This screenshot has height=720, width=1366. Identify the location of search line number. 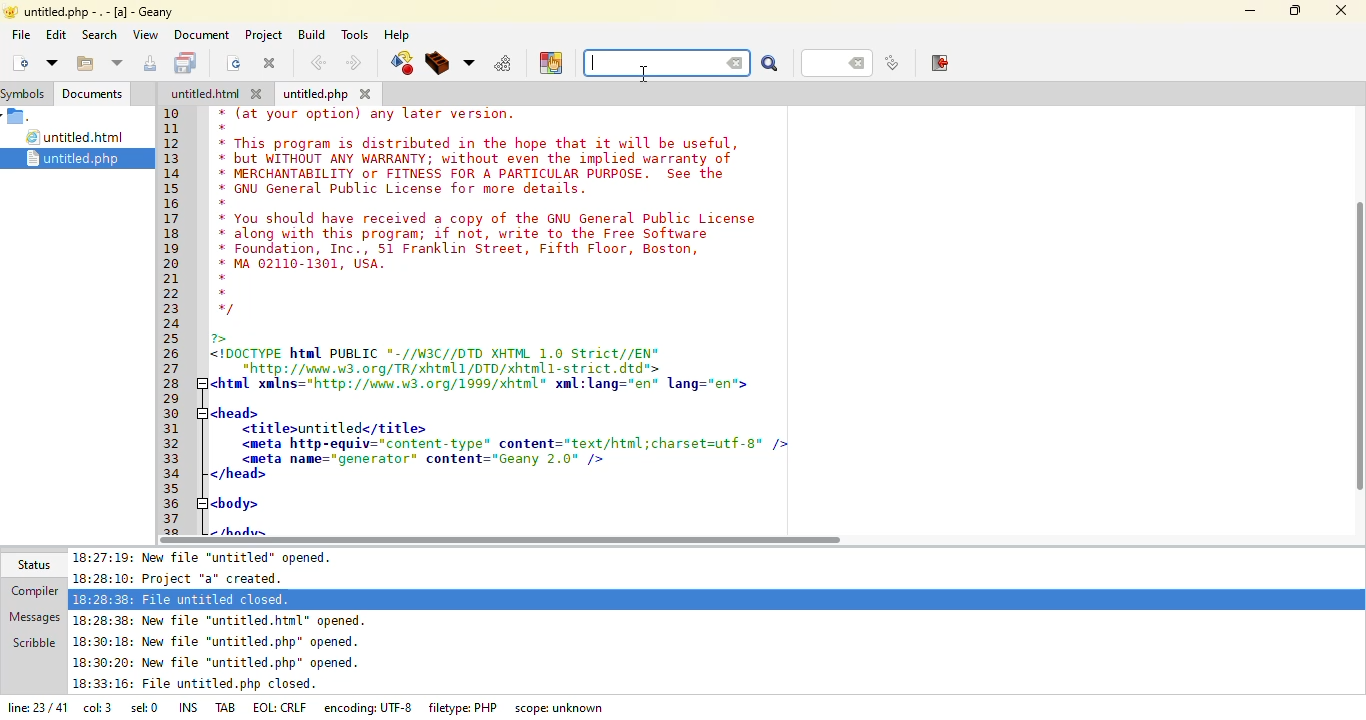
(836, 62).